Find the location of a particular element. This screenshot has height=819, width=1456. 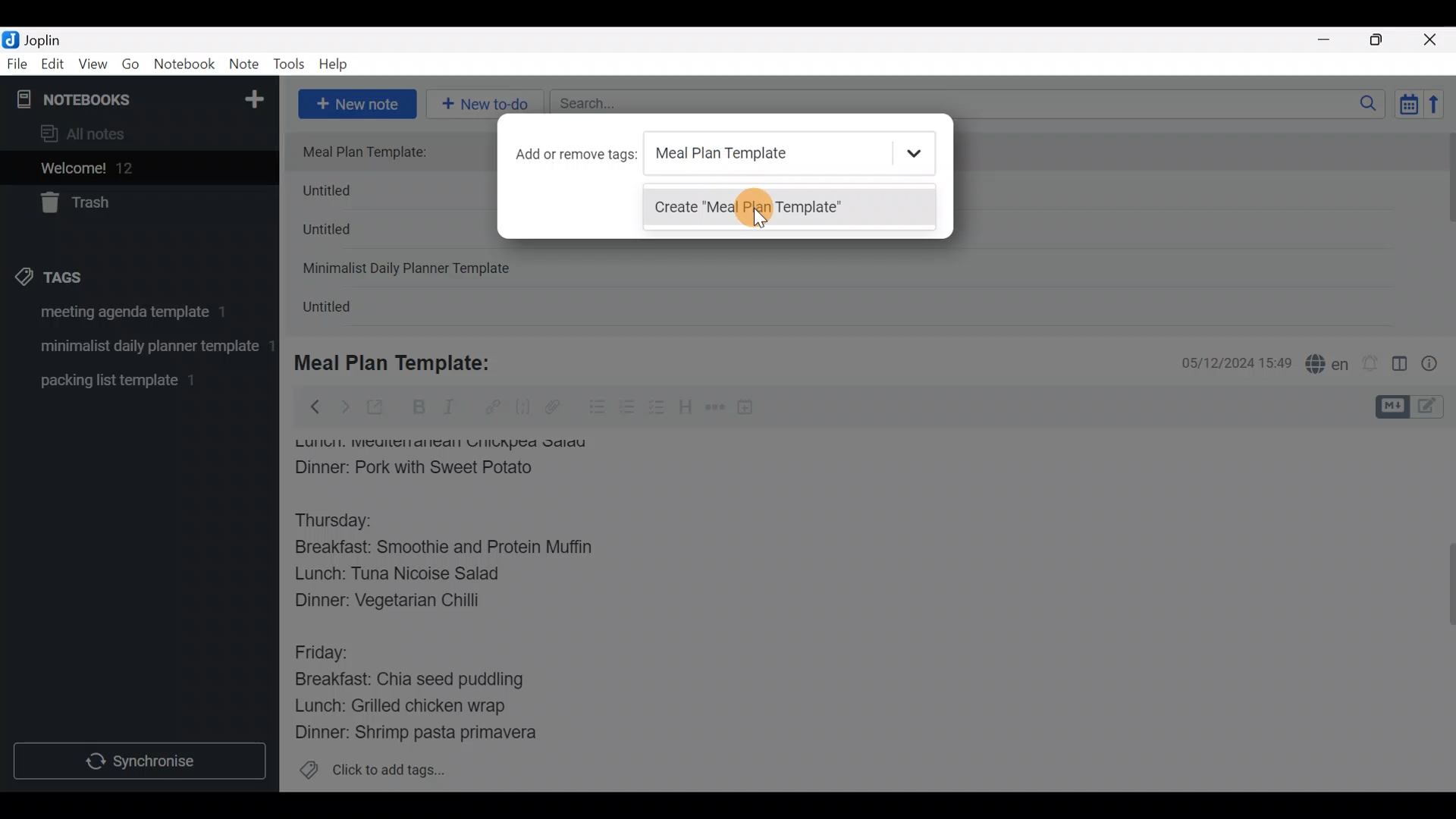

Set alarm is located at coordinates (1371, 365).